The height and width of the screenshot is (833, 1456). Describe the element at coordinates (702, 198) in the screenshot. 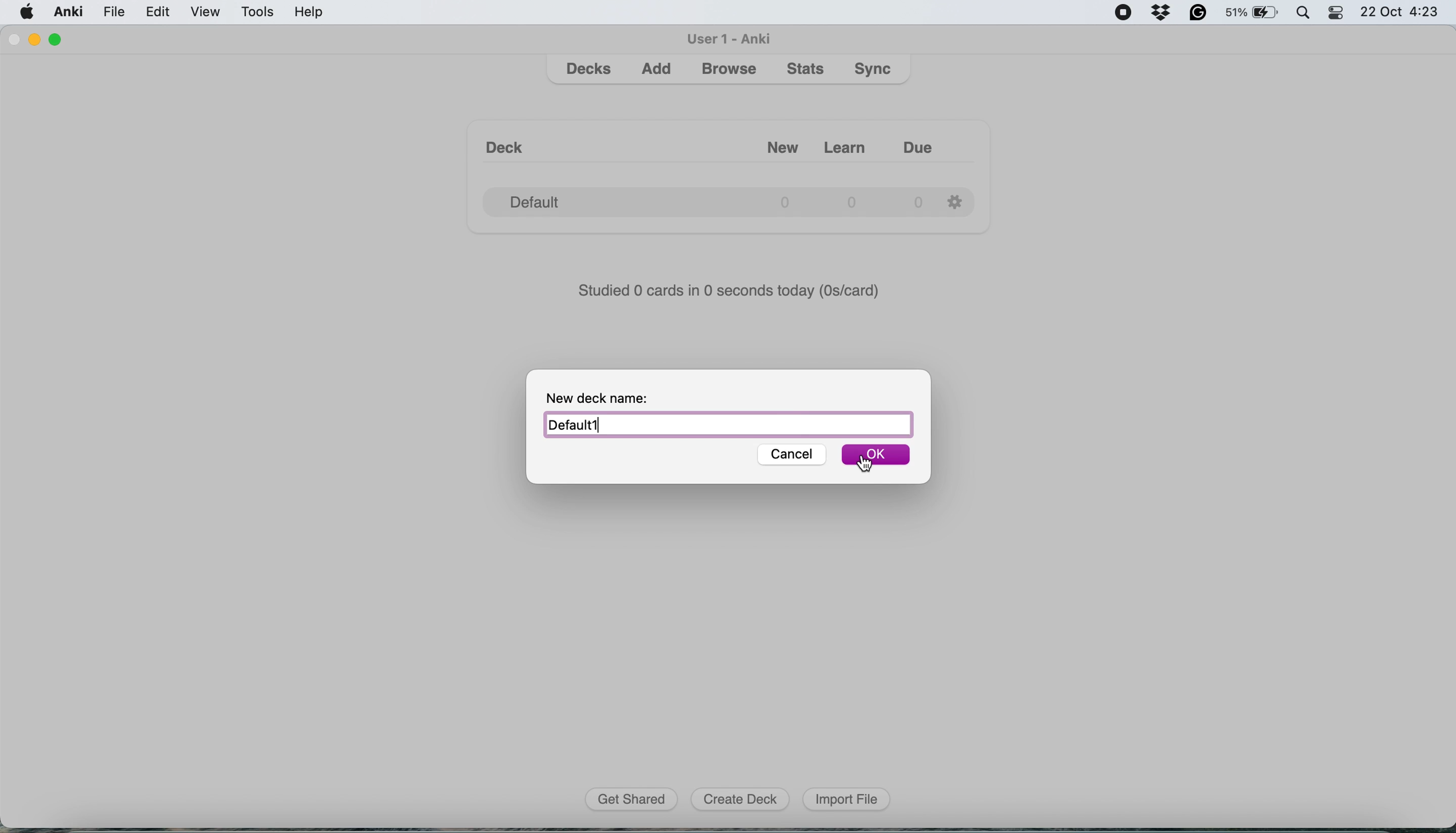

I see `Default` at that location.